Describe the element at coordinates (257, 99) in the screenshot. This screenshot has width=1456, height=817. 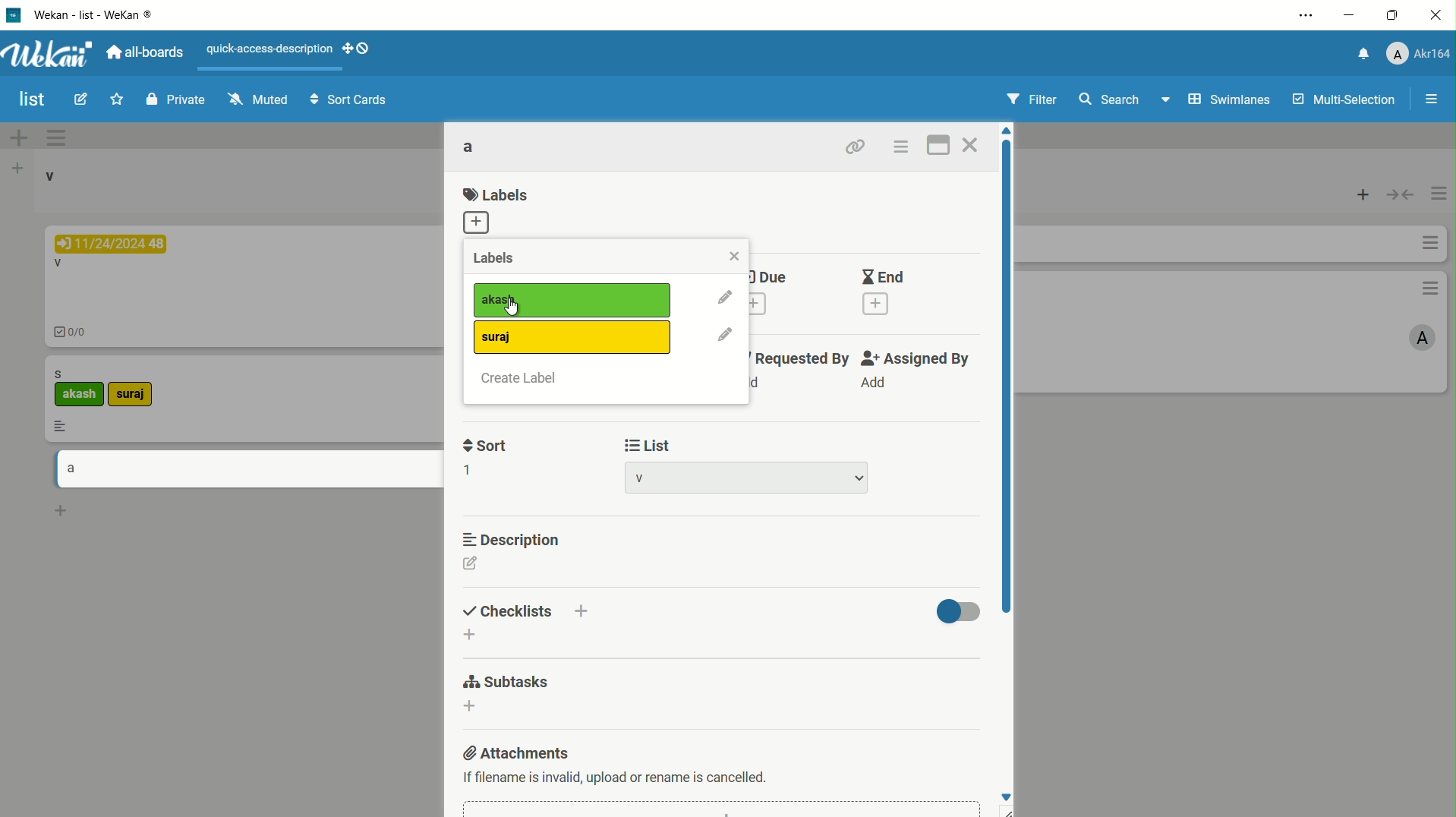
I see `muted` at that location.